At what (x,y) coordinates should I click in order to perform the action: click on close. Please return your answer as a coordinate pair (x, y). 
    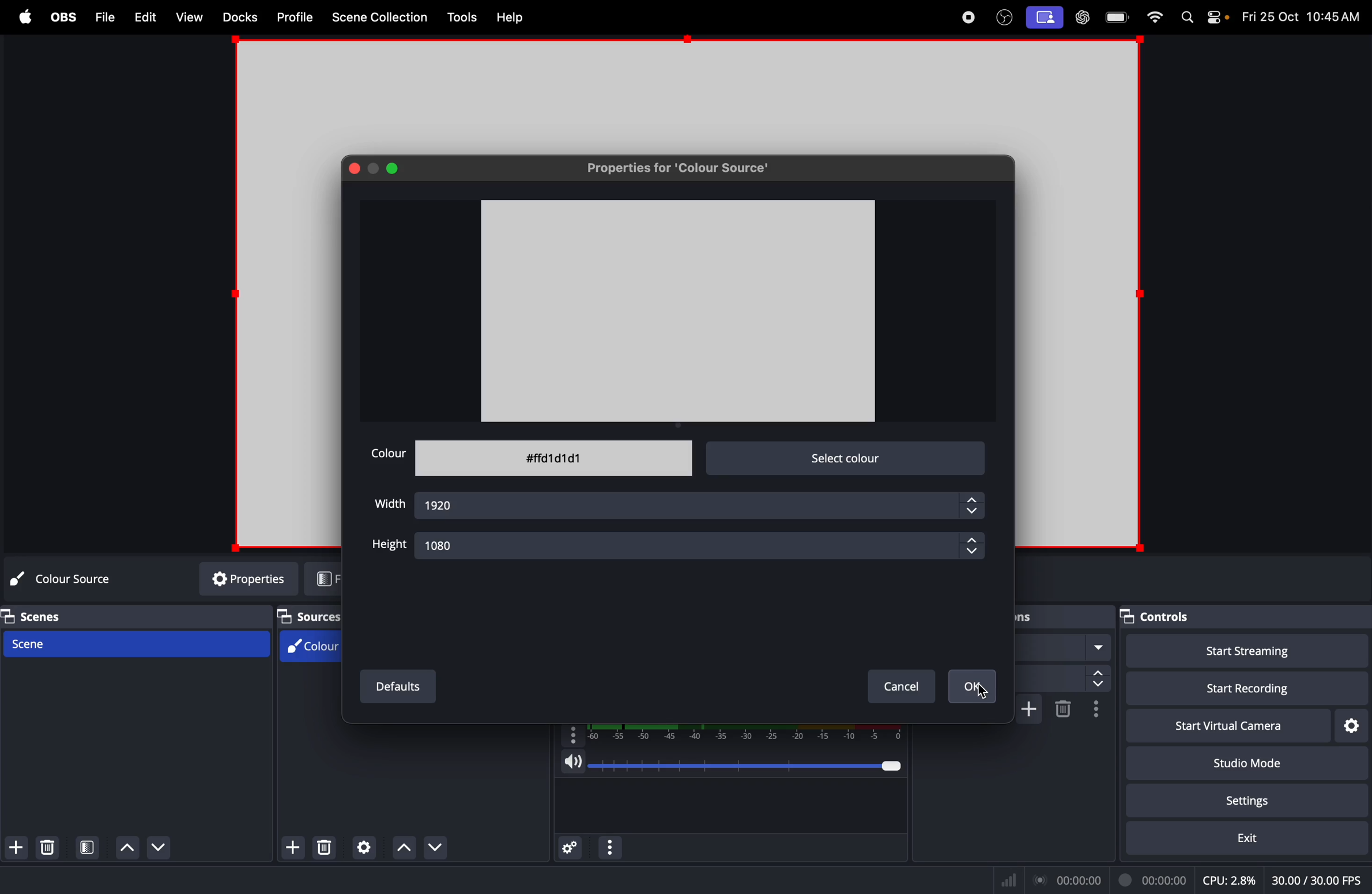
    Looking at the image, I should click on (355, 168).